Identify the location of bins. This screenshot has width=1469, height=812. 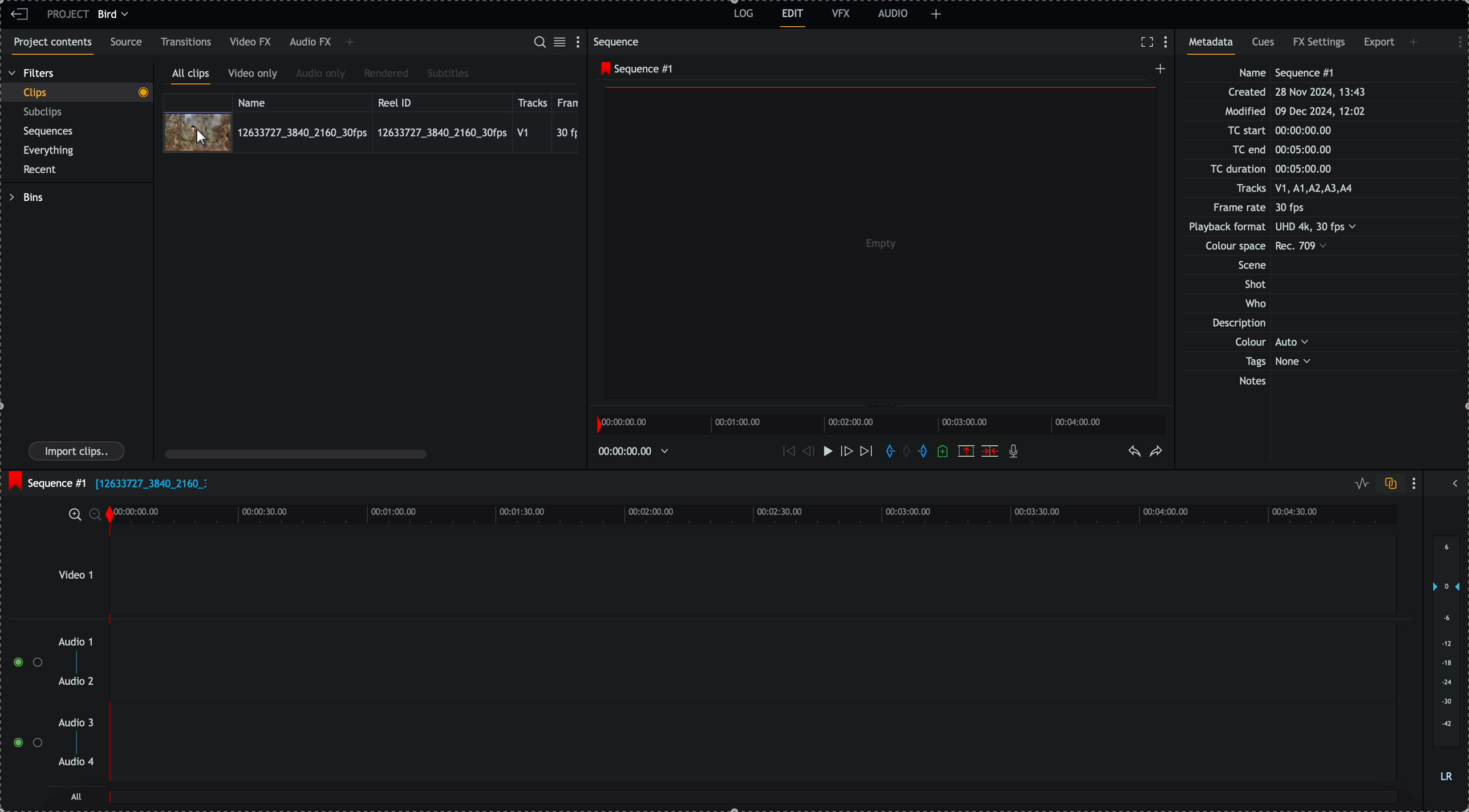
(26, 197).